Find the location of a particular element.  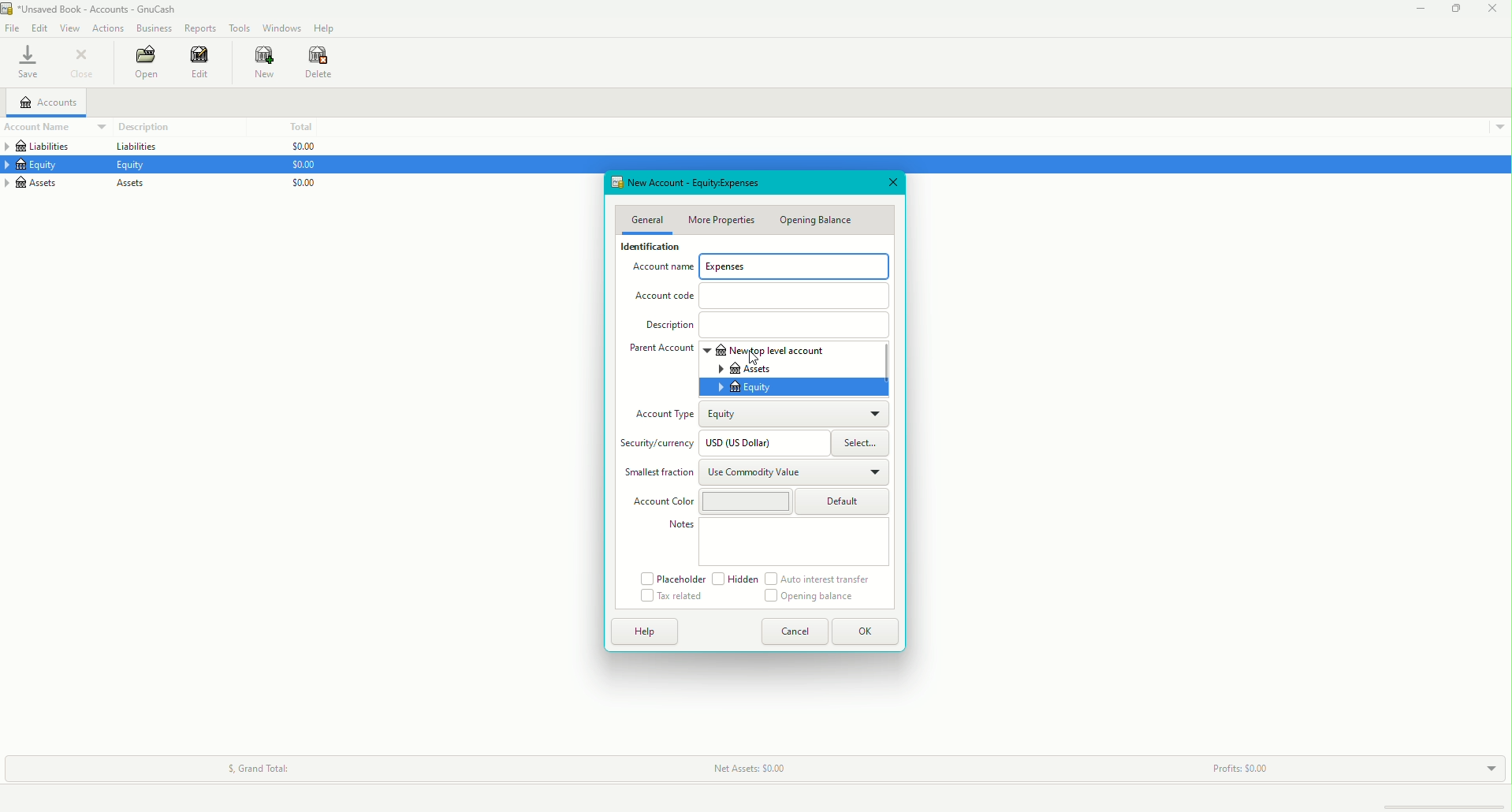

Profits is located at coordinates (1240, 765).